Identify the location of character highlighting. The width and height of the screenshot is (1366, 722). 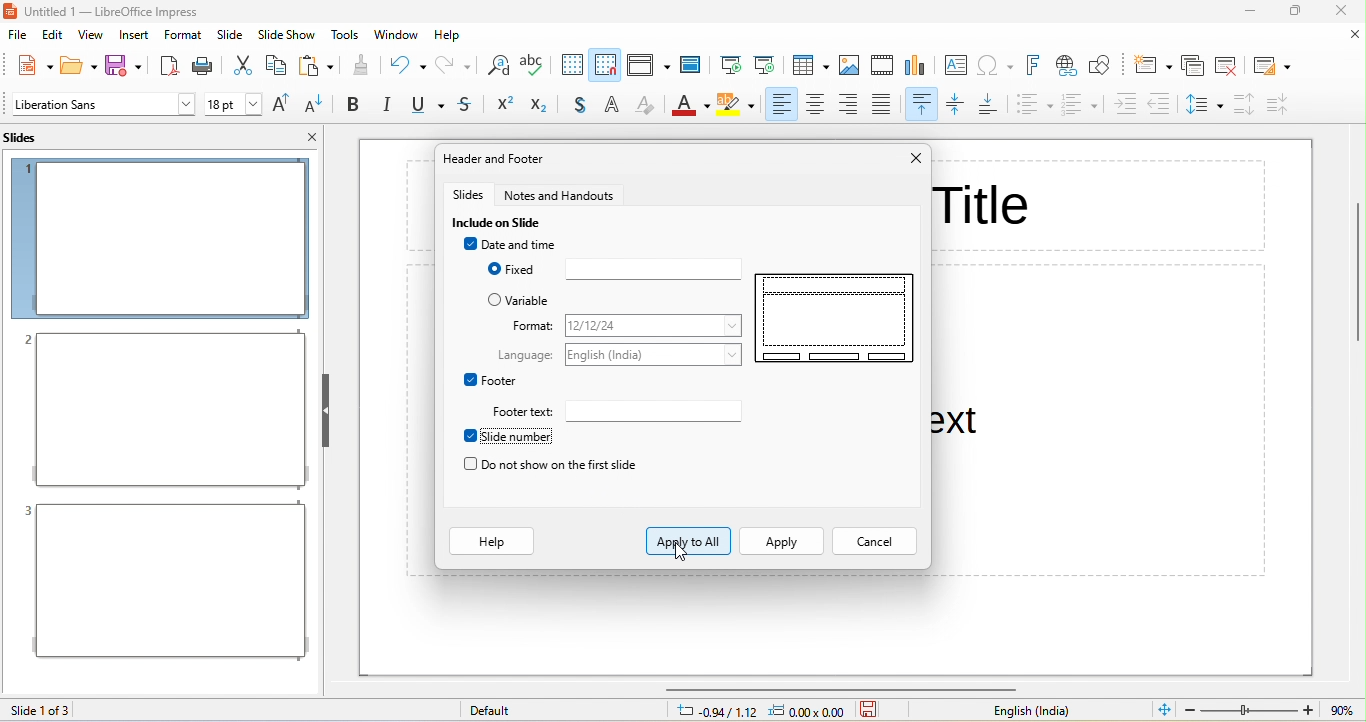
(736, 107).